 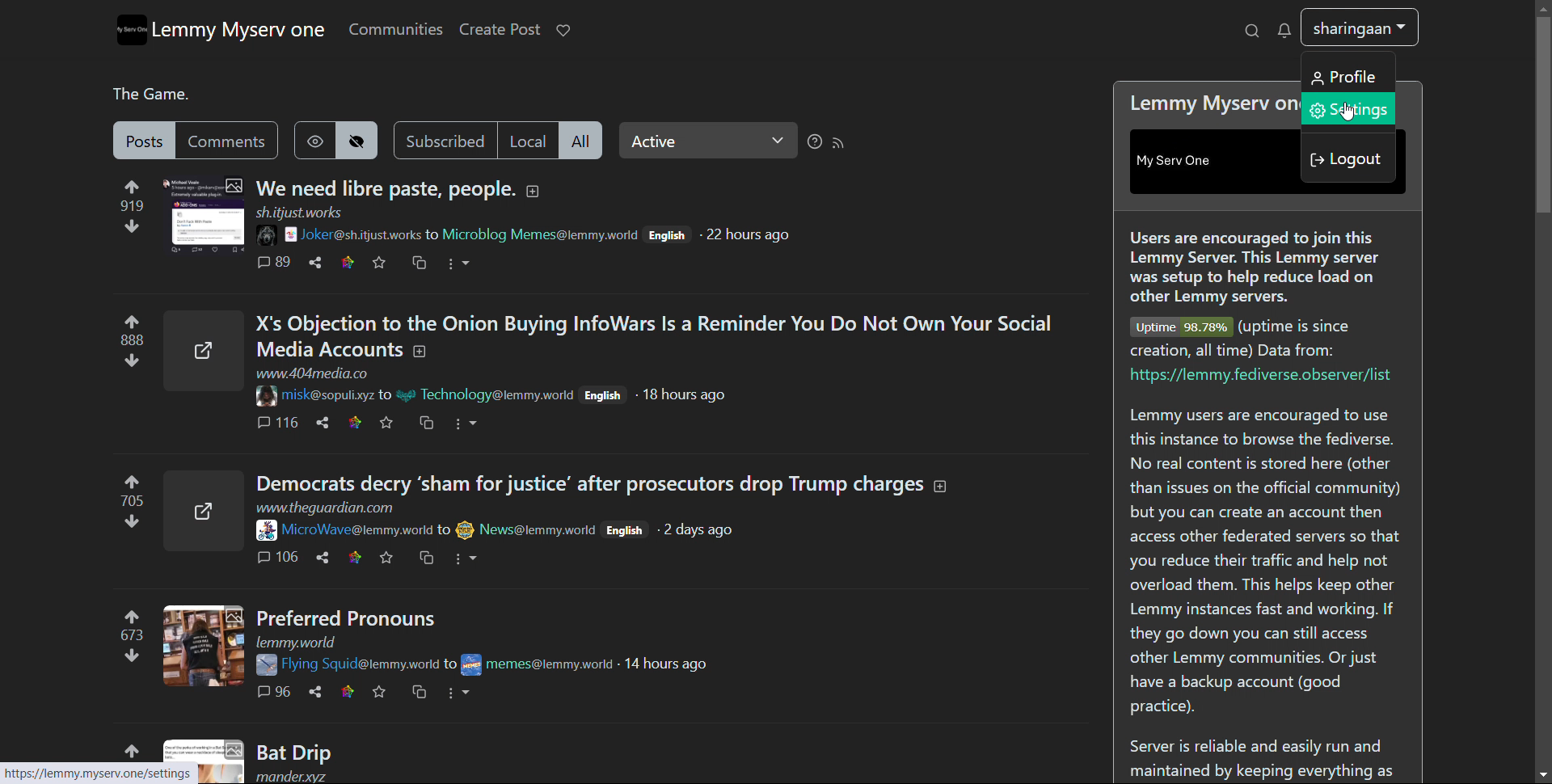 What do you see at coordinates (302, 211) in the screenshot?
I see `URL` at bounding box center [302, 211].